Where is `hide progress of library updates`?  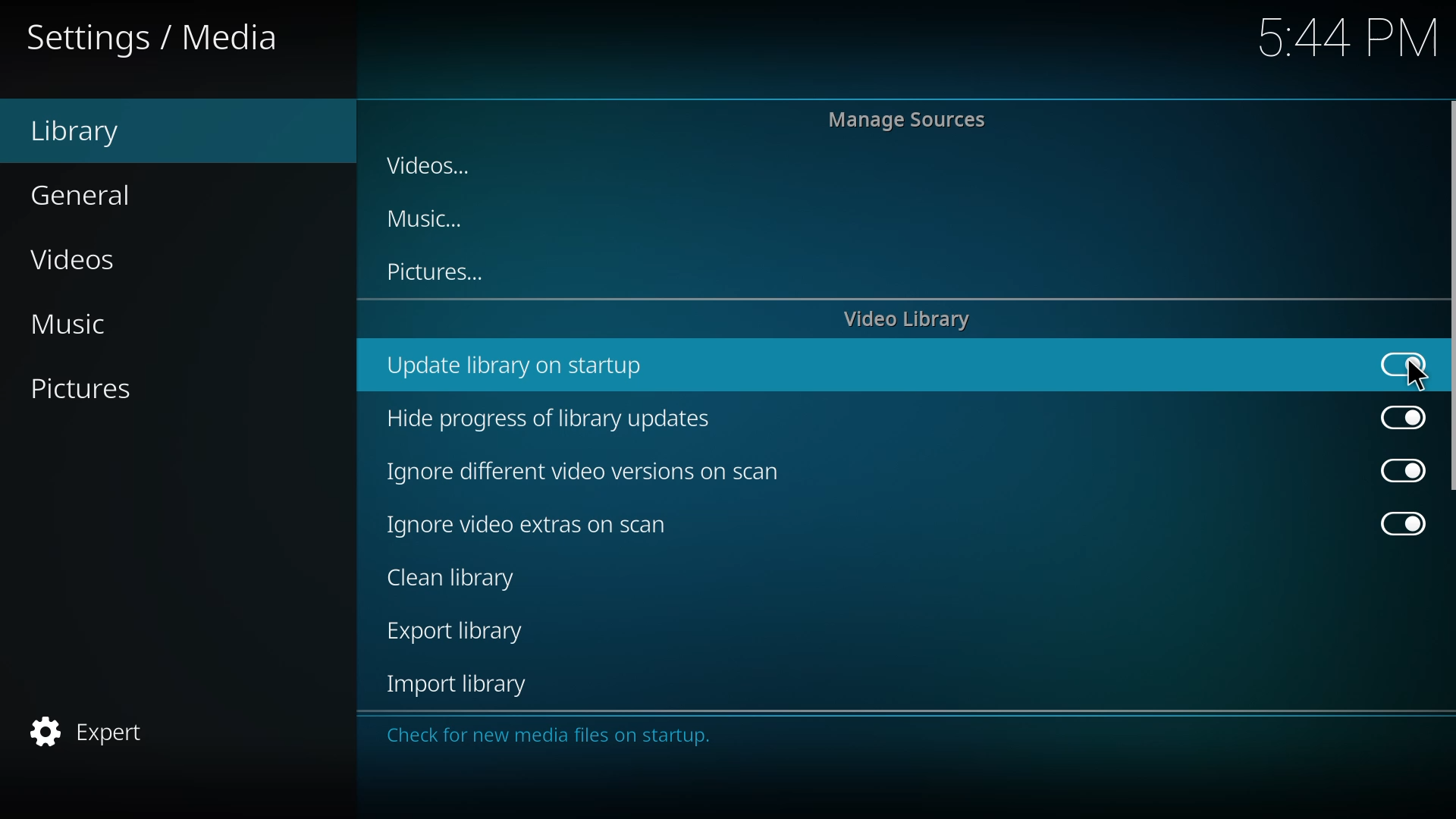 hide progress of library updates is located at coordinates (560, 422).